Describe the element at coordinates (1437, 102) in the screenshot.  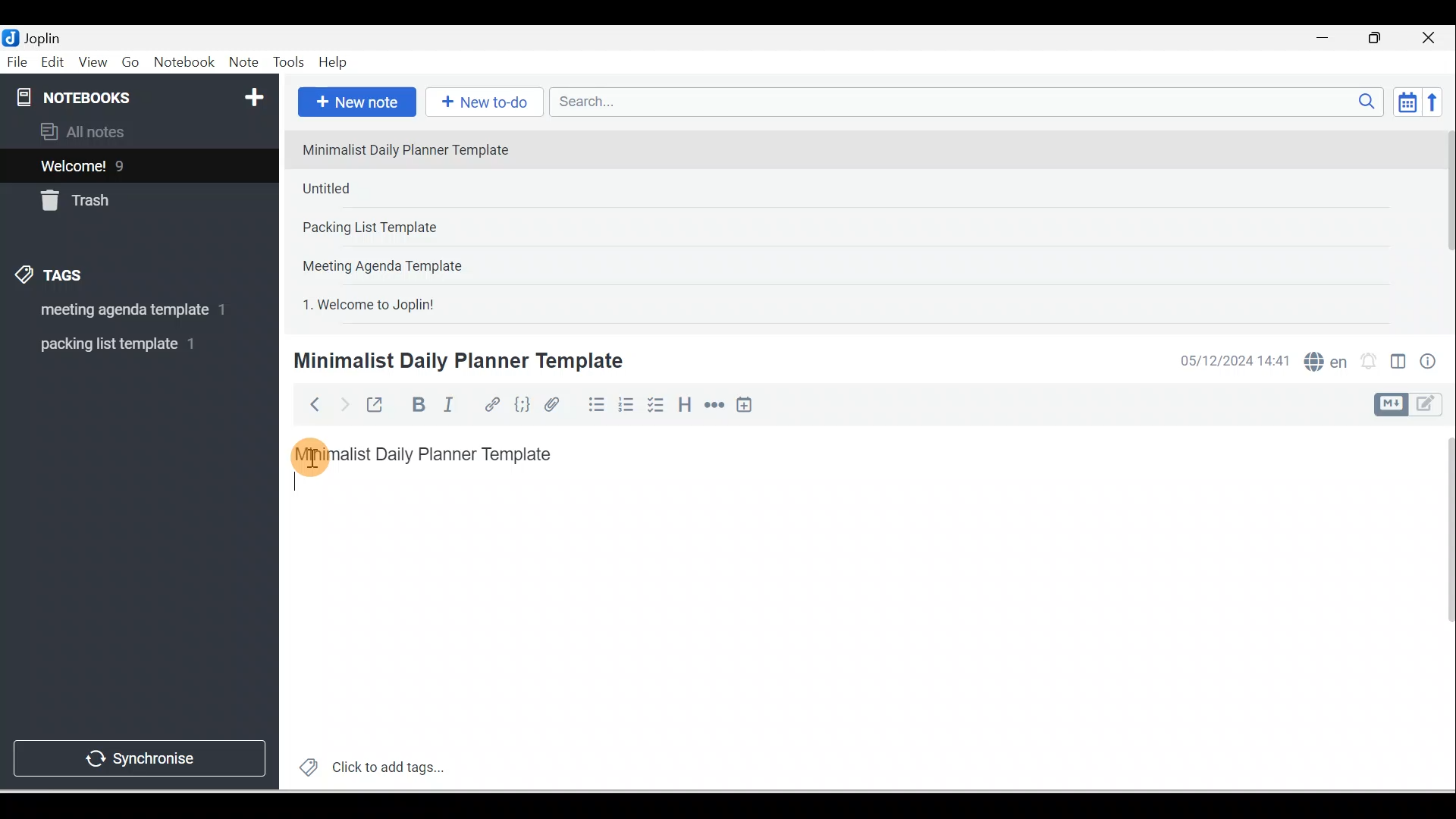
I see `Reverse sort` at that location.